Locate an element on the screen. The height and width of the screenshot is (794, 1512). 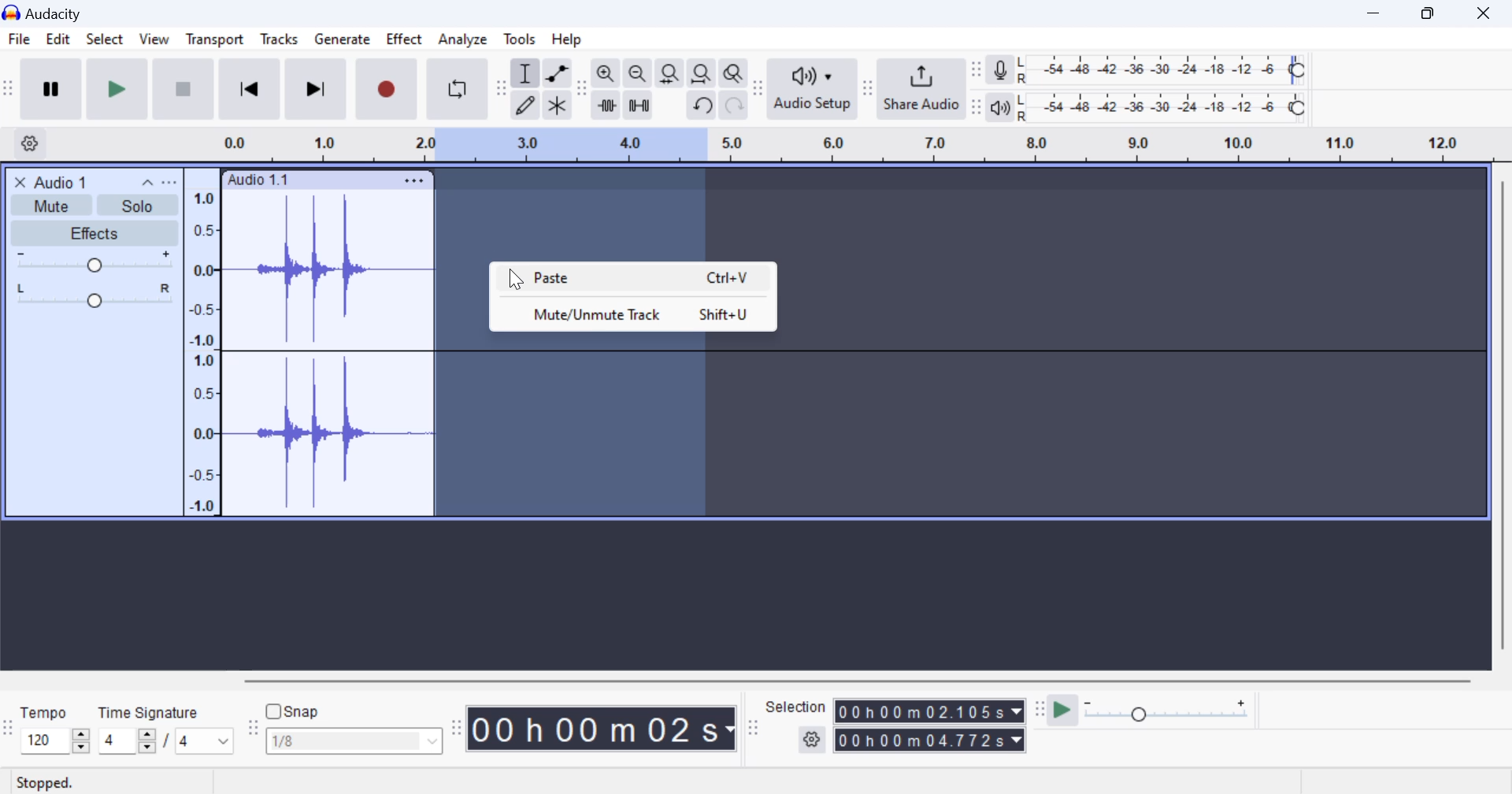
Window Title is located at coordinates (50, 13).